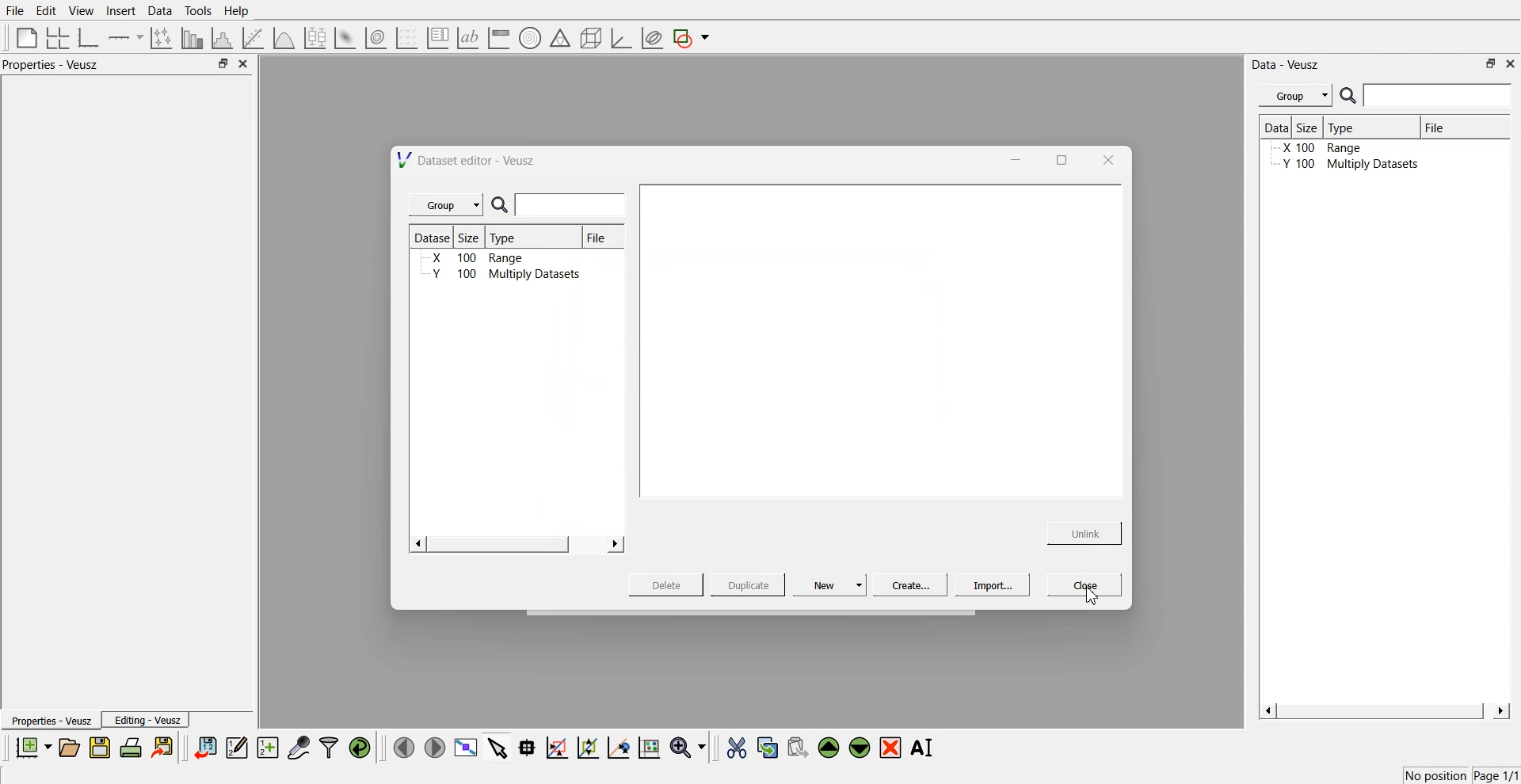  What do you see at coordinates (796, 747) in the screenshot?
I see `paste the selected widgets` at bounding box center [796, 747].